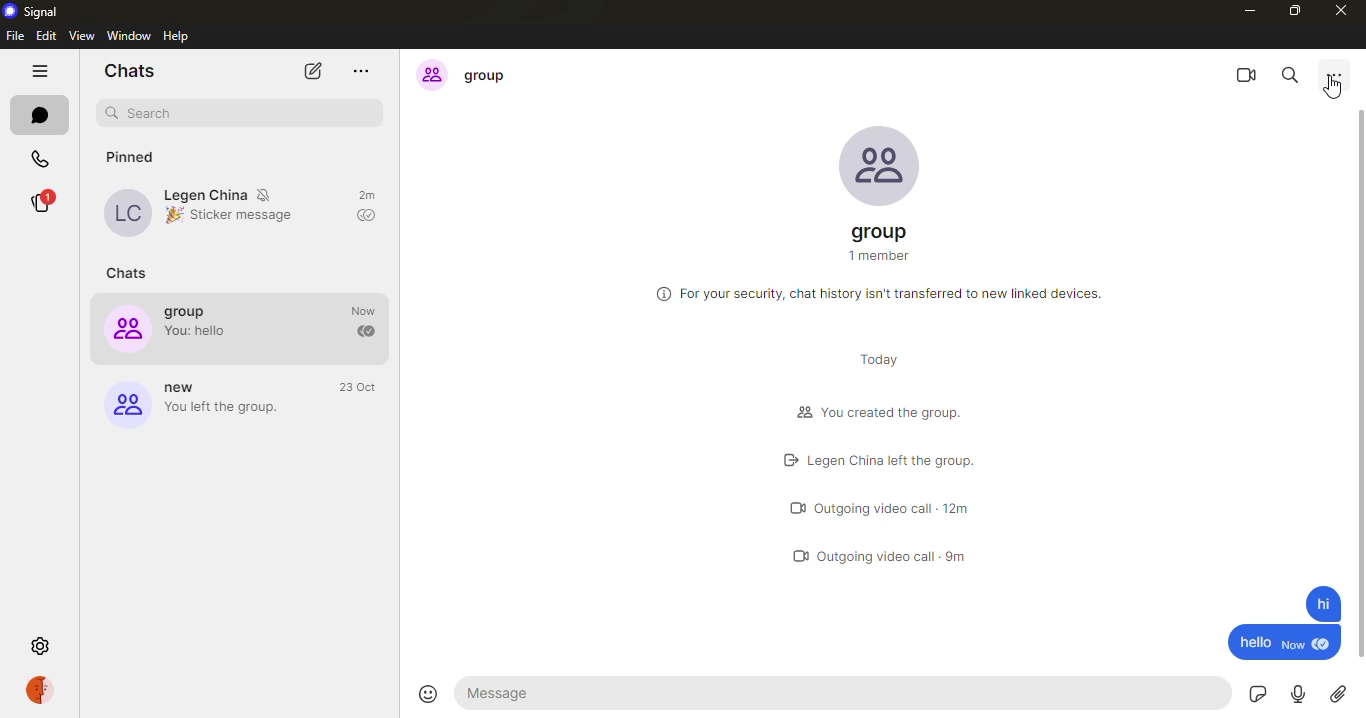 This screenshot has height=718, width=1366. What do you see at coordinates (124, 408) in the screenshot?
I see `profile icon` at bounding box center [124, 408].